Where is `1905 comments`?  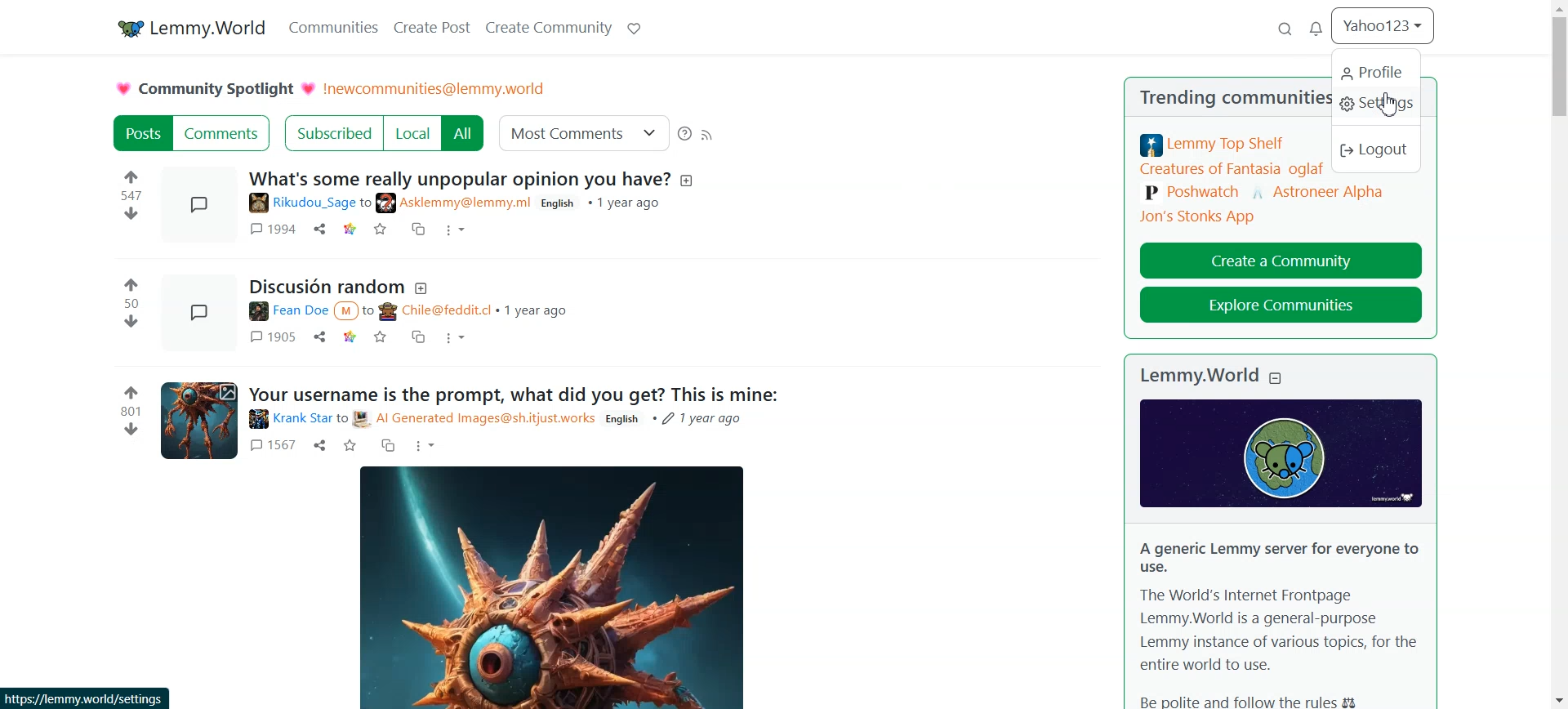
1905 comments is located at coordinates (271, 337).